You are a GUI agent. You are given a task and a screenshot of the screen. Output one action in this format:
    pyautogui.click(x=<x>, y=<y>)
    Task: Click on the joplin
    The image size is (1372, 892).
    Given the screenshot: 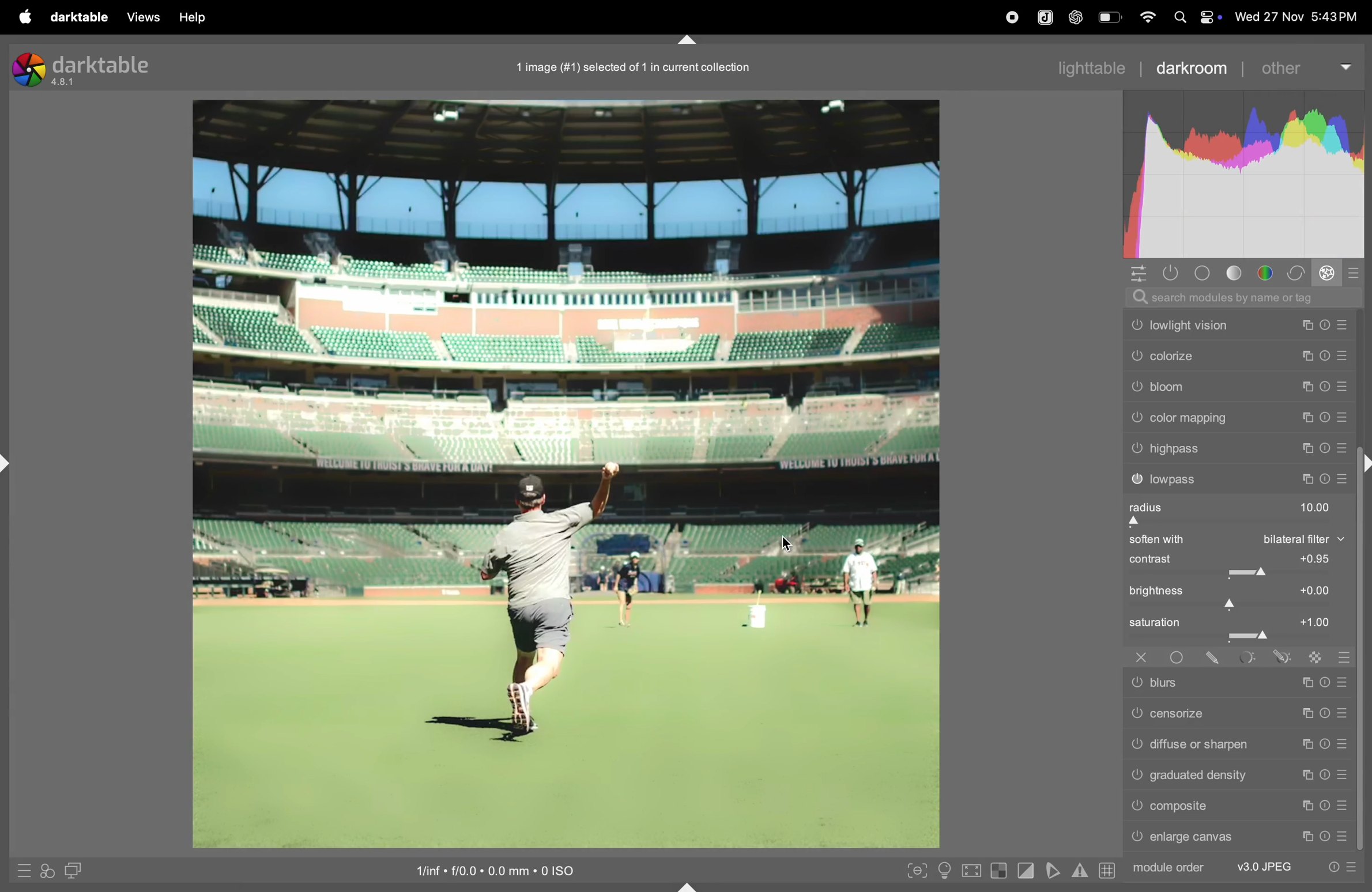 What is the action you would take?
    pyautogui.click(x=1044, y=16)
    